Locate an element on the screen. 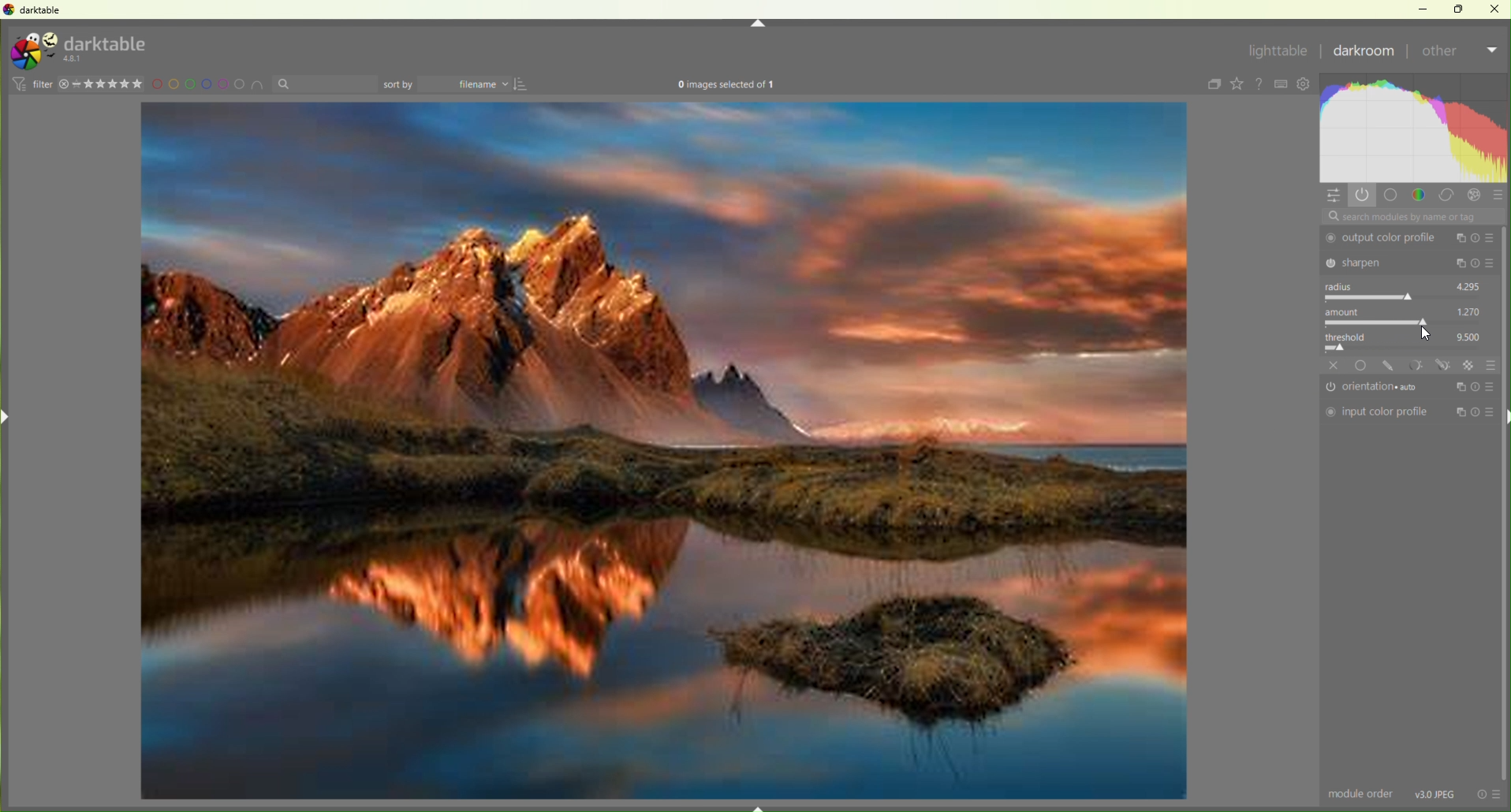 The height and width of the screenshot is (812, 1511). Effects is located at coordinates (1476, 196).